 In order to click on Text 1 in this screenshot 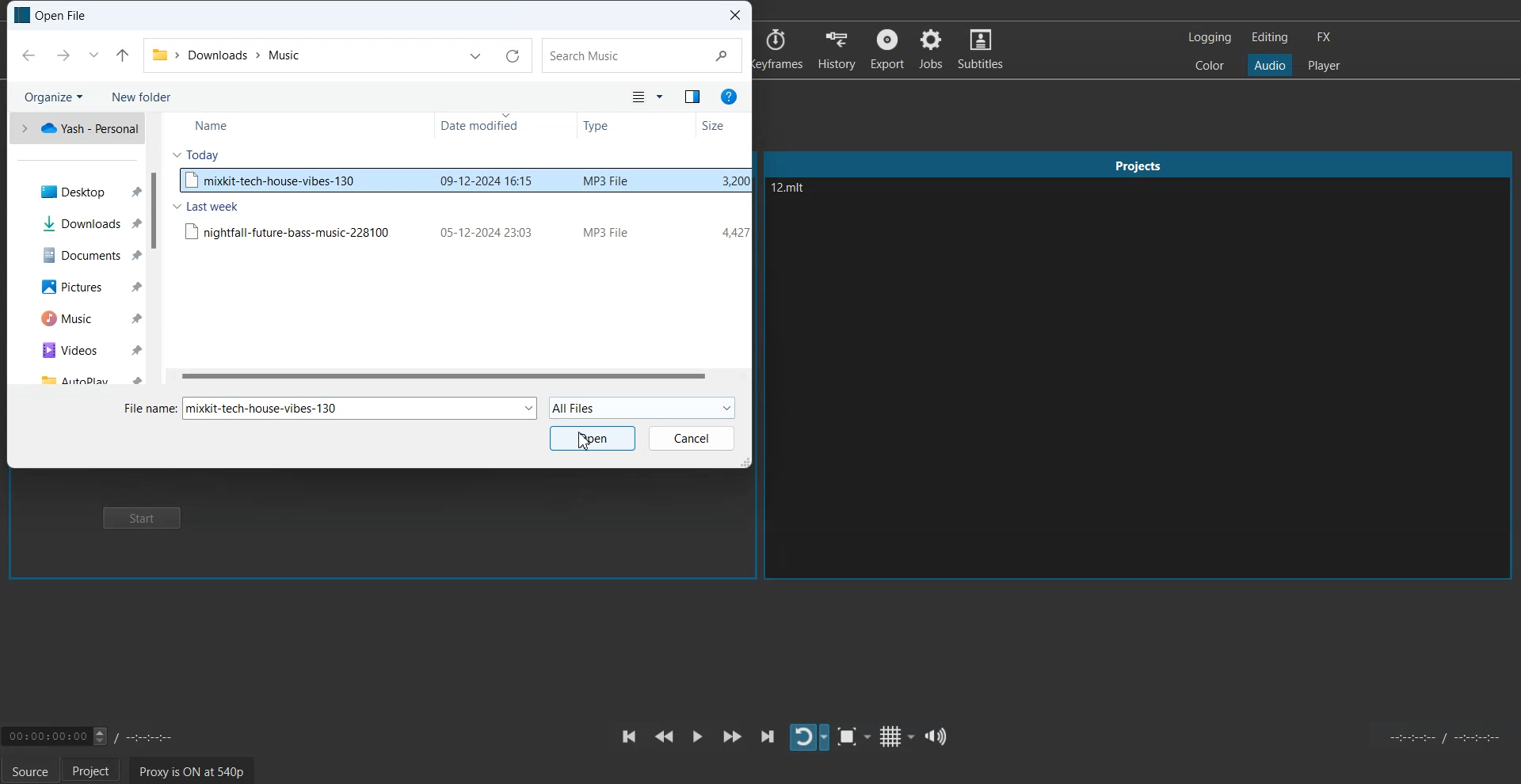, I will do `click(836, 204)`.